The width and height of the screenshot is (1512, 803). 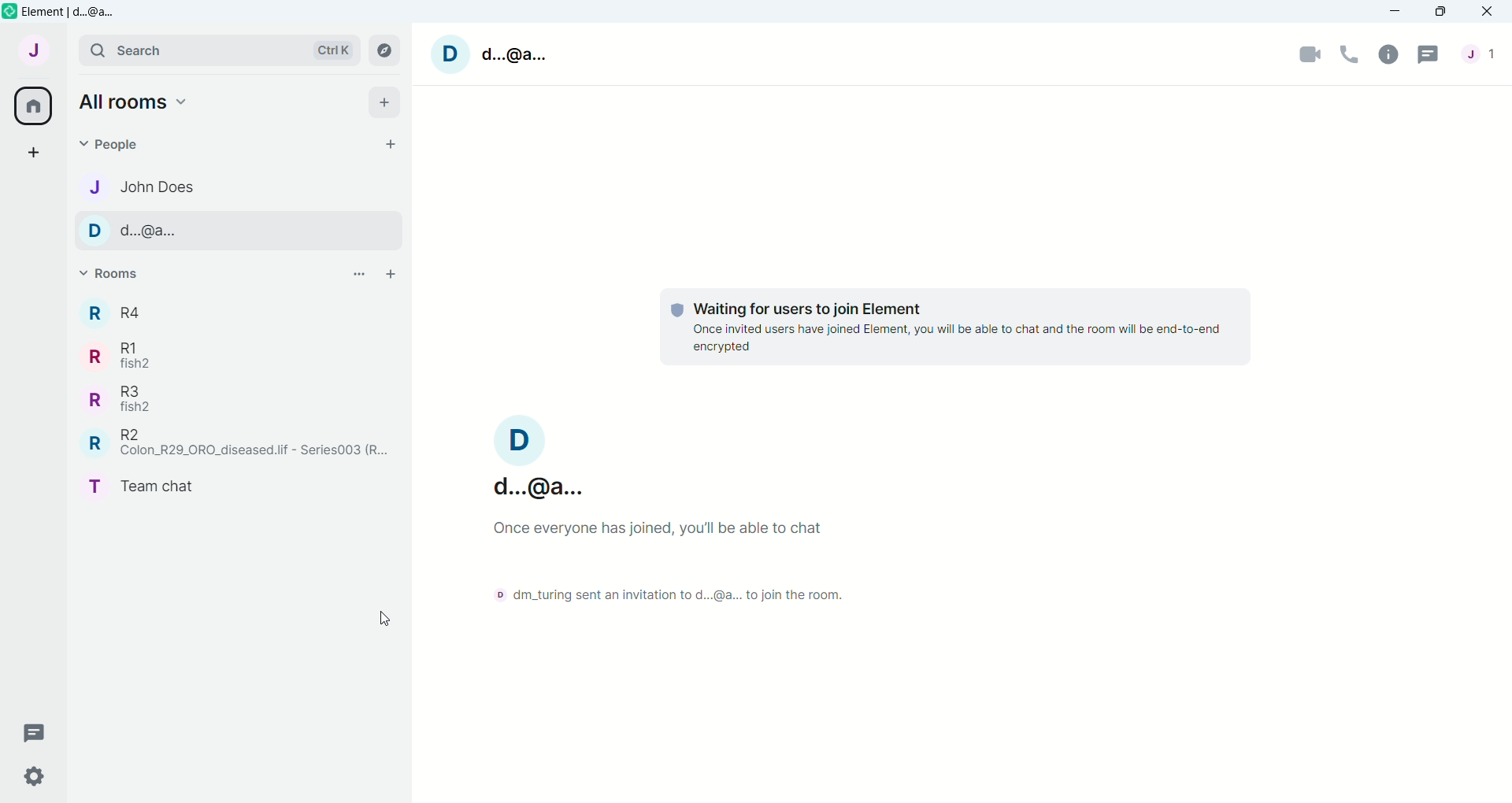 I want to click on Maximize, so click(x=1438, y=11).